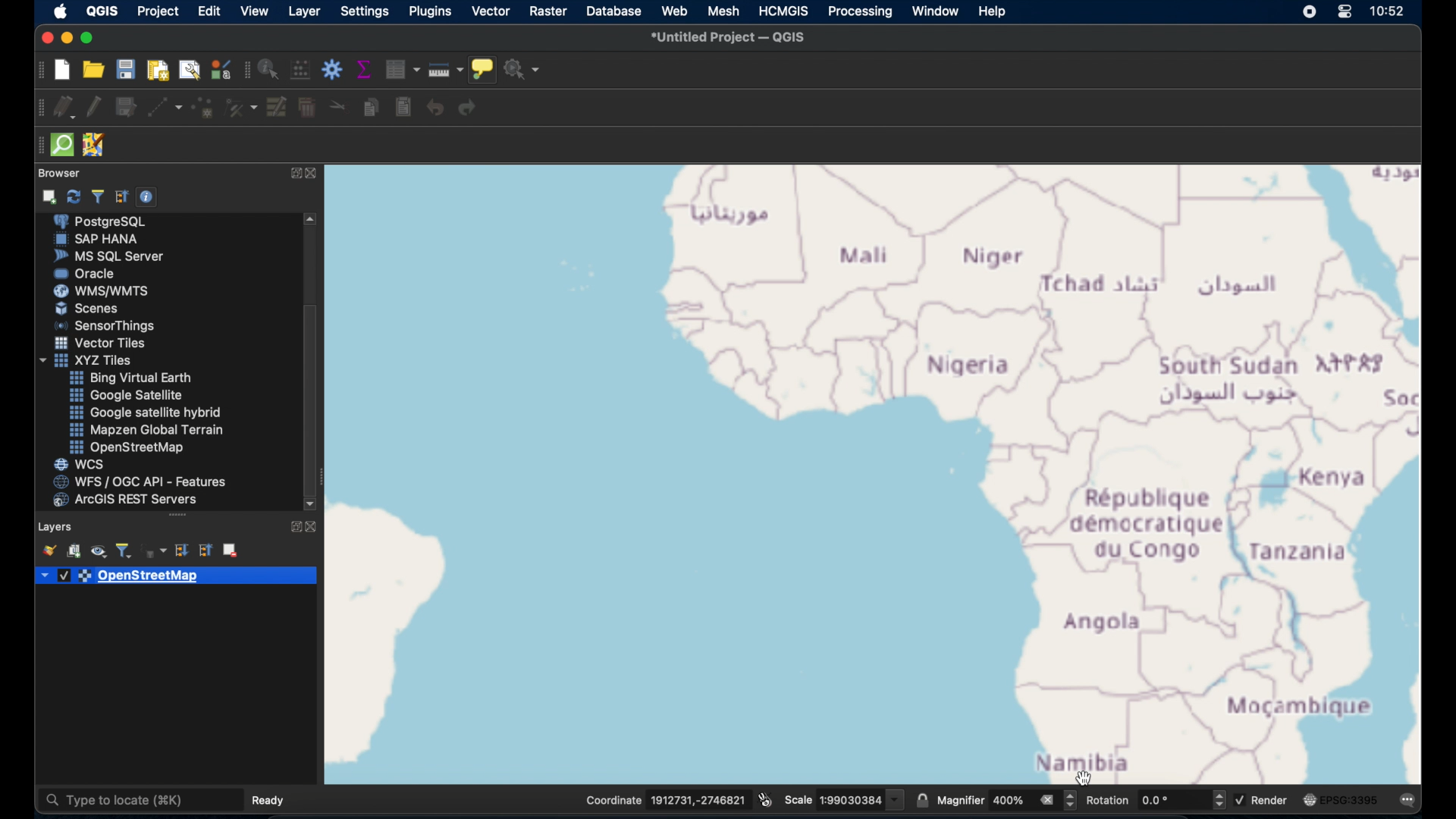  Describe the element at coordinates (613, 11) in the screenshot. I see `database` at that location.